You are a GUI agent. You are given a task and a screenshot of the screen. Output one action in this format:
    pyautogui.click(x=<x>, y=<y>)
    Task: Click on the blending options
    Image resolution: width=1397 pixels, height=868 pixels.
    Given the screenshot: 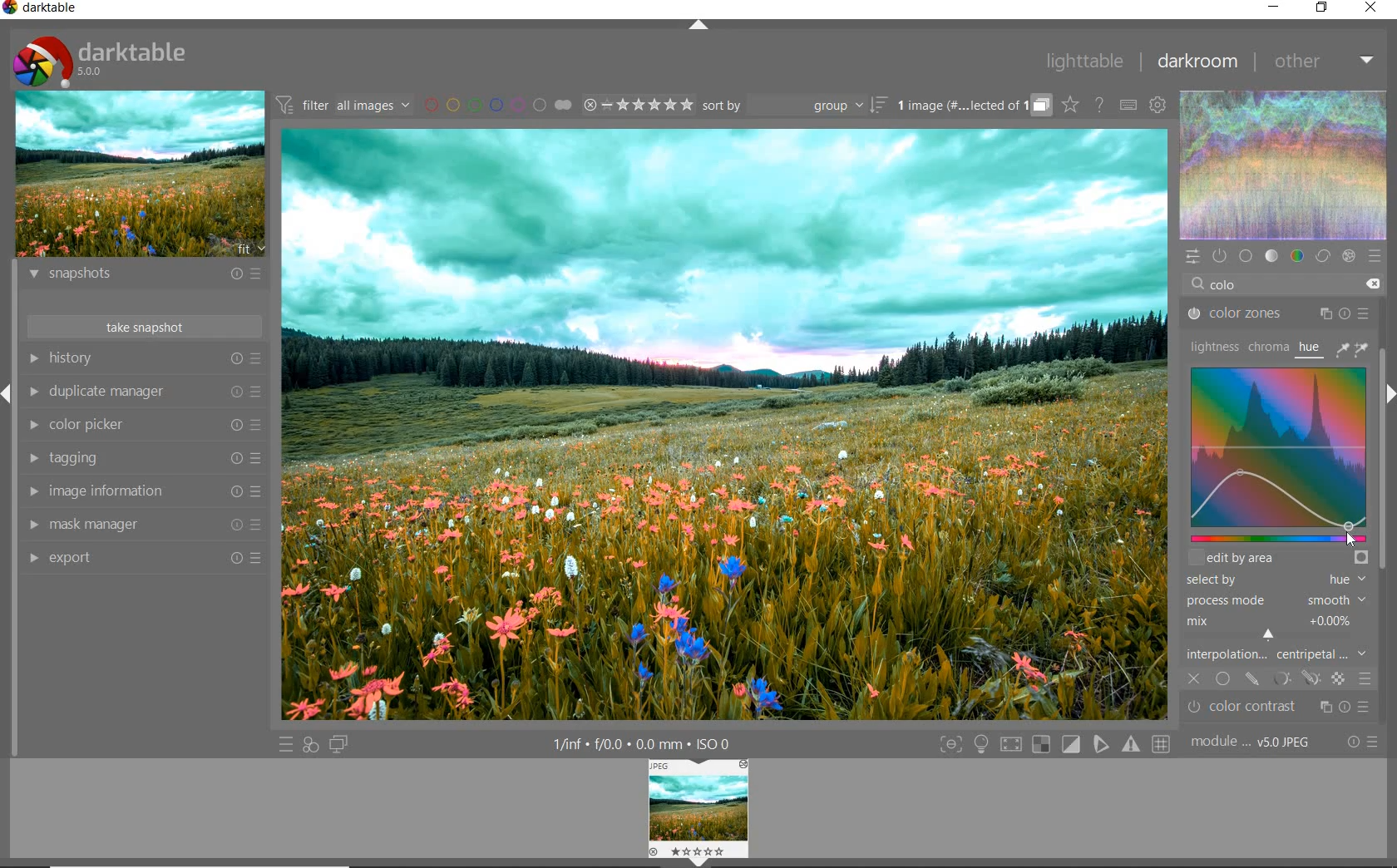 What is the action you would take?
    pyautogui.click(x=1365, y=677)
    